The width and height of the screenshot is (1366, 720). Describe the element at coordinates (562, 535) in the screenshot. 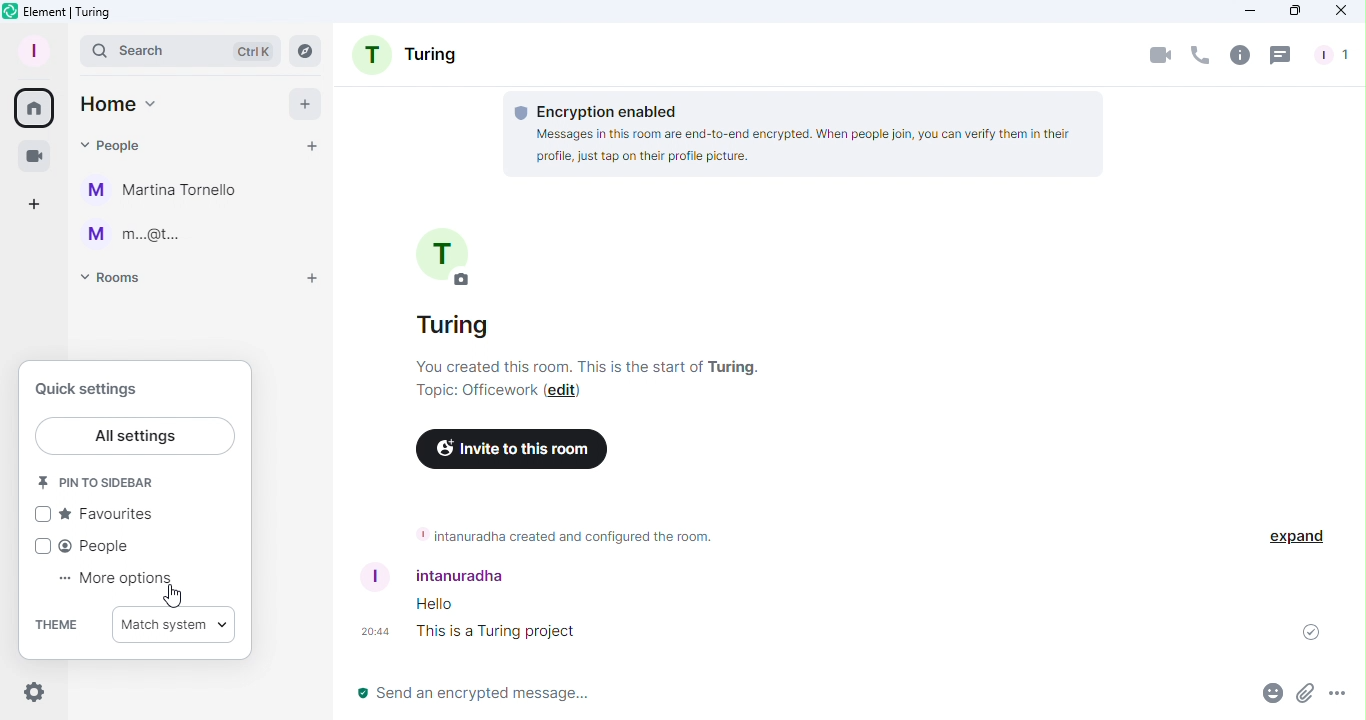

I see `Room information` at that location.